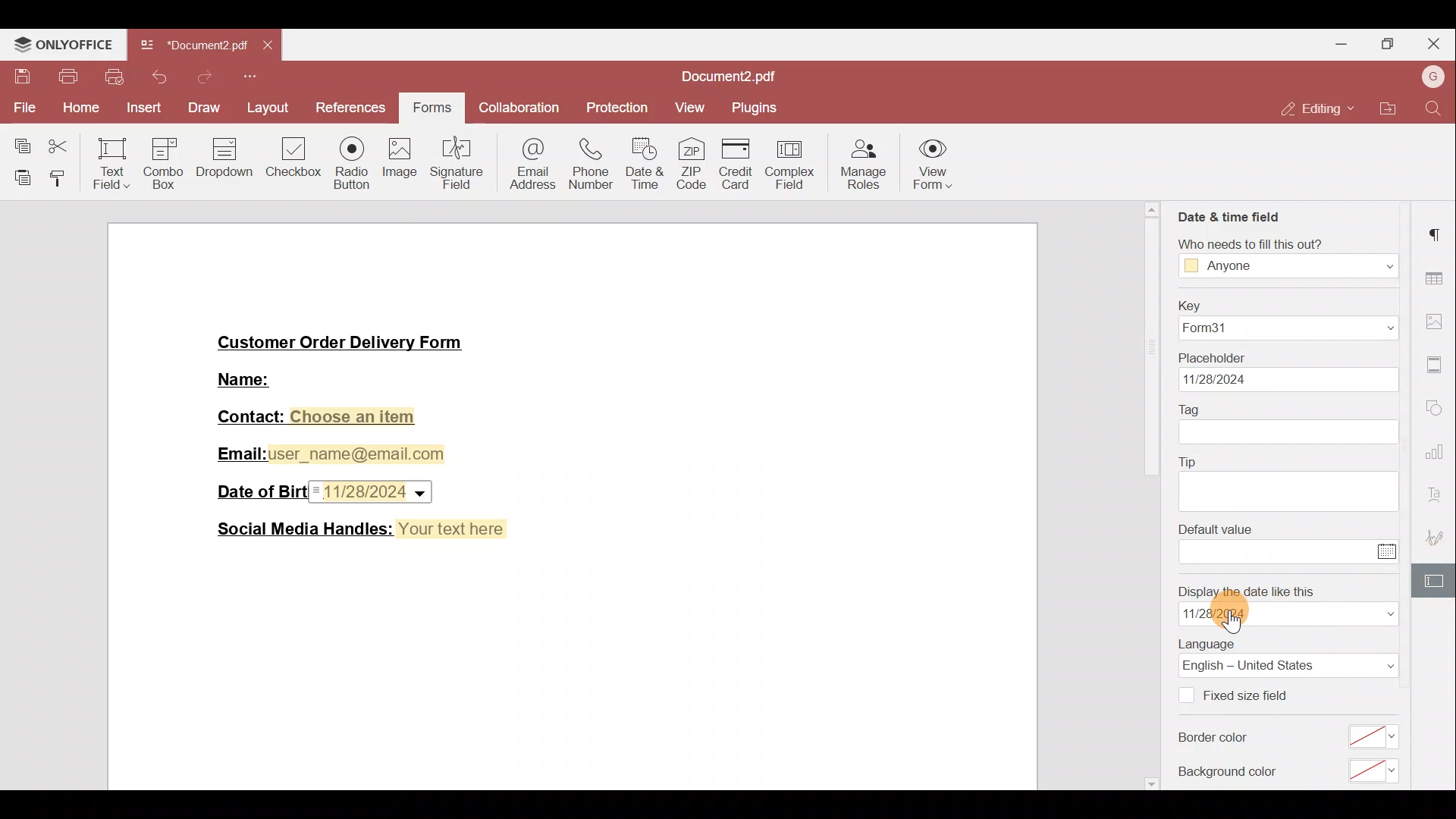 The height and width of the screenshot is (819, 1456). I want to click on Tip, so click(1188, 462).